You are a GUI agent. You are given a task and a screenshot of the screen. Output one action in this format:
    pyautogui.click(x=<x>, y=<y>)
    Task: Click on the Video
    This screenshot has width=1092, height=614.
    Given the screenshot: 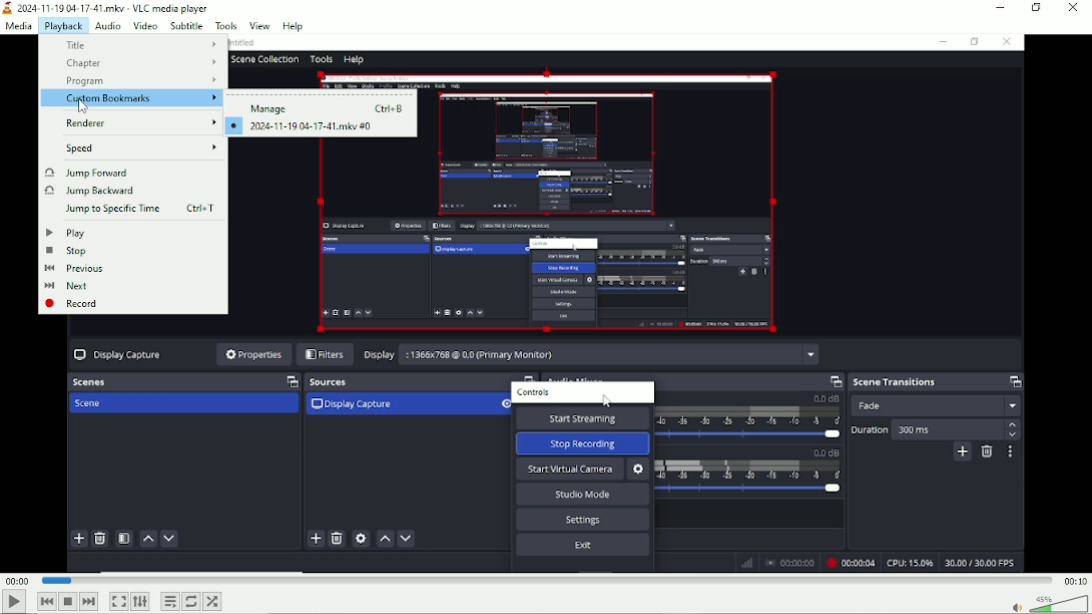 What is the action you would take?
    pyautogui.click(x=146, y=25)
    